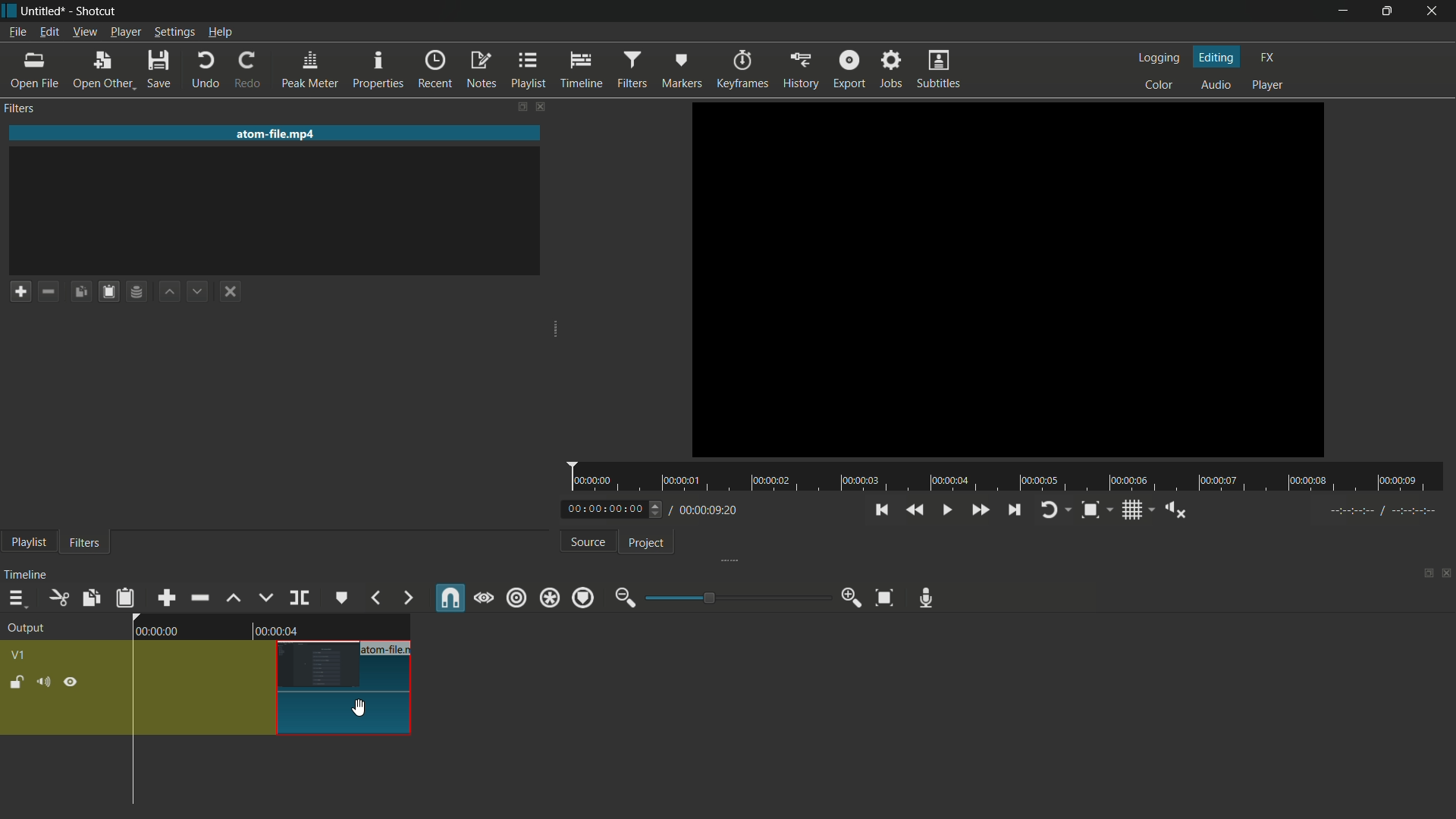  Describe the element at coordinates (881, 510) in the screenshot. I see `skip to the previous point` at that location.